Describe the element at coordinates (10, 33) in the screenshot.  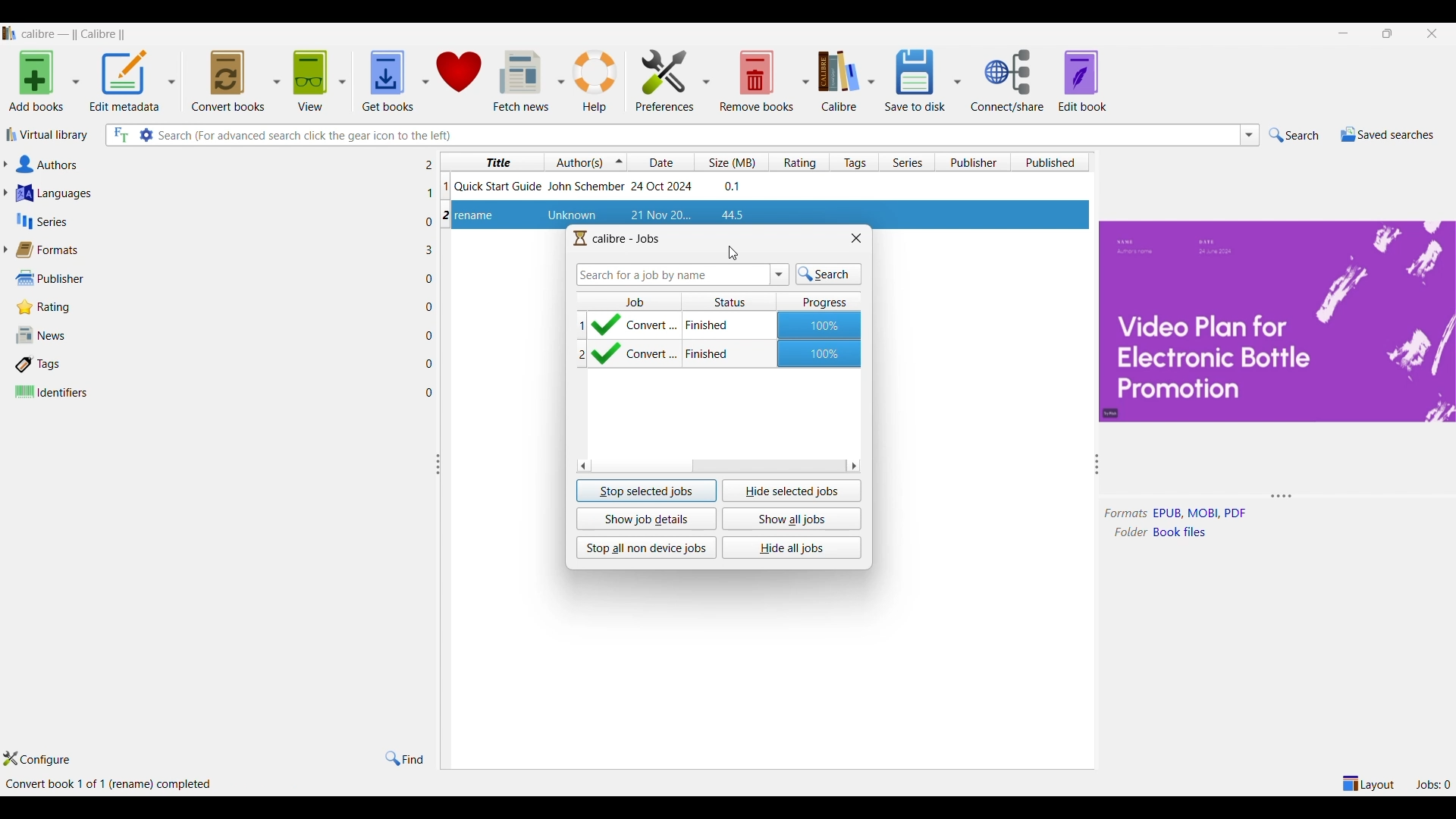
I see `Software logo` at that location.